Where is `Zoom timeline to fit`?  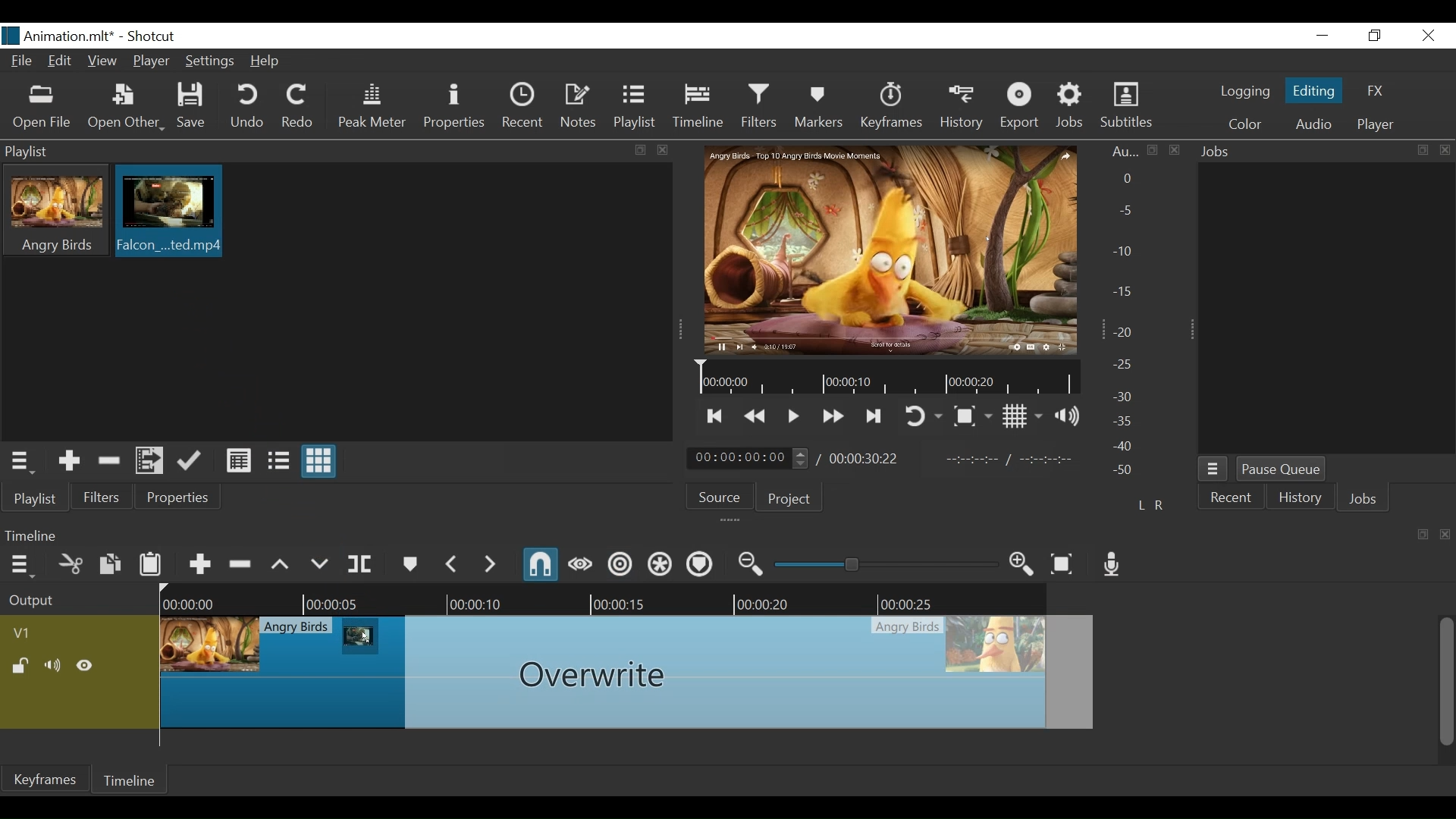
Zoom timeline to fit is located at coordinates (1064, 563).